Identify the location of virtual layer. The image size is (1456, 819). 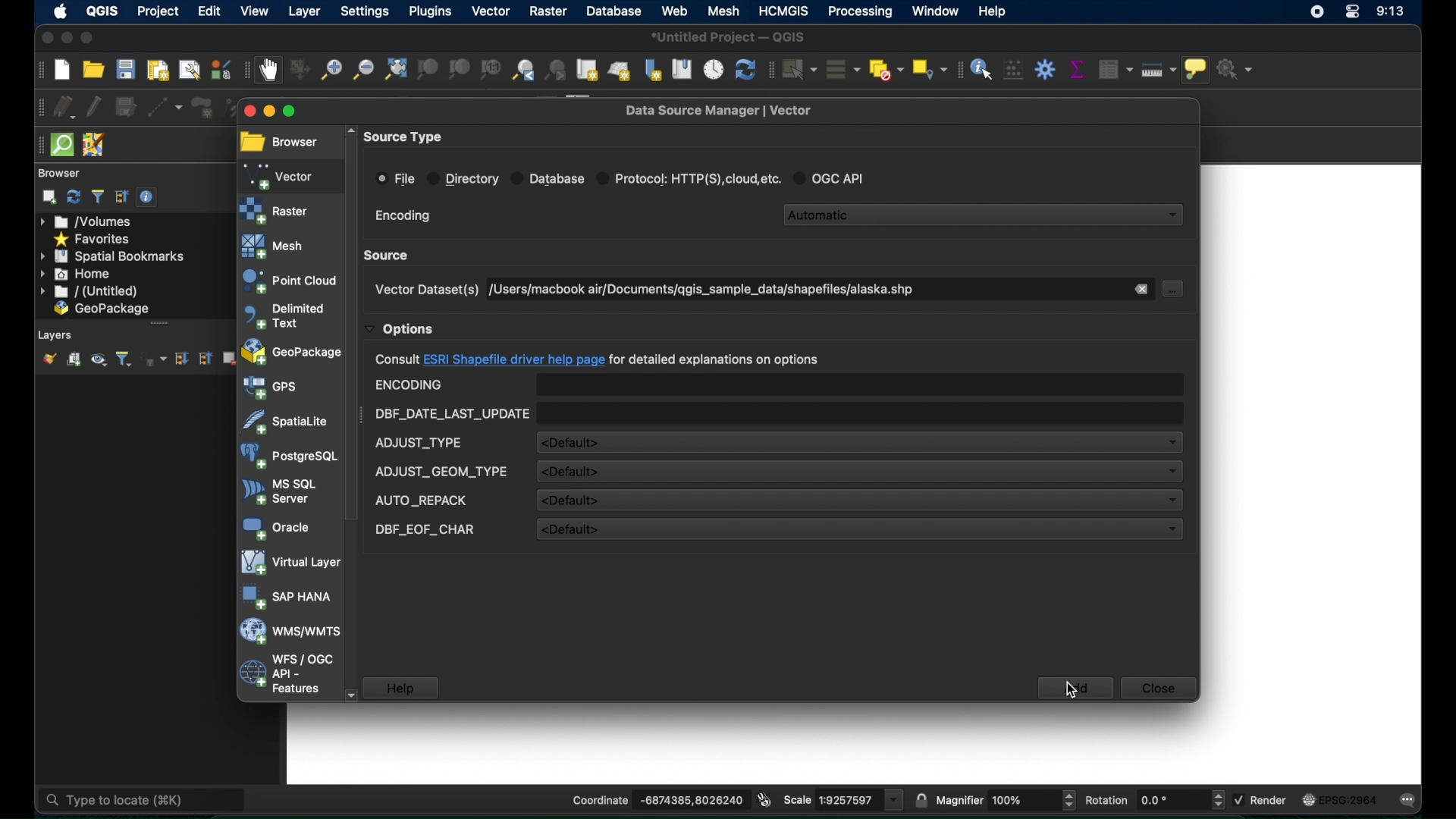
(288, 563).